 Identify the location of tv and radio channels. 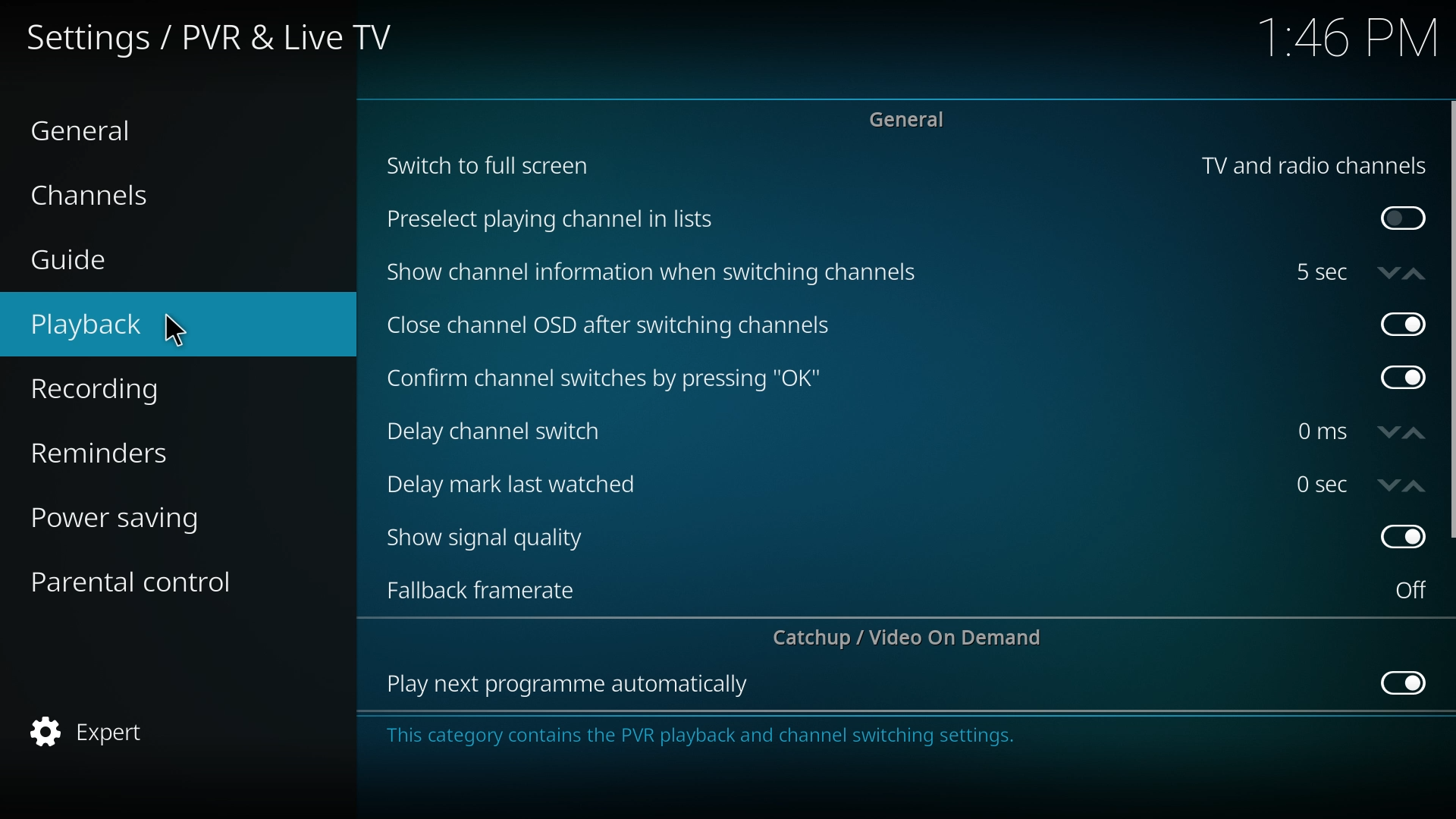
(1313, 166).